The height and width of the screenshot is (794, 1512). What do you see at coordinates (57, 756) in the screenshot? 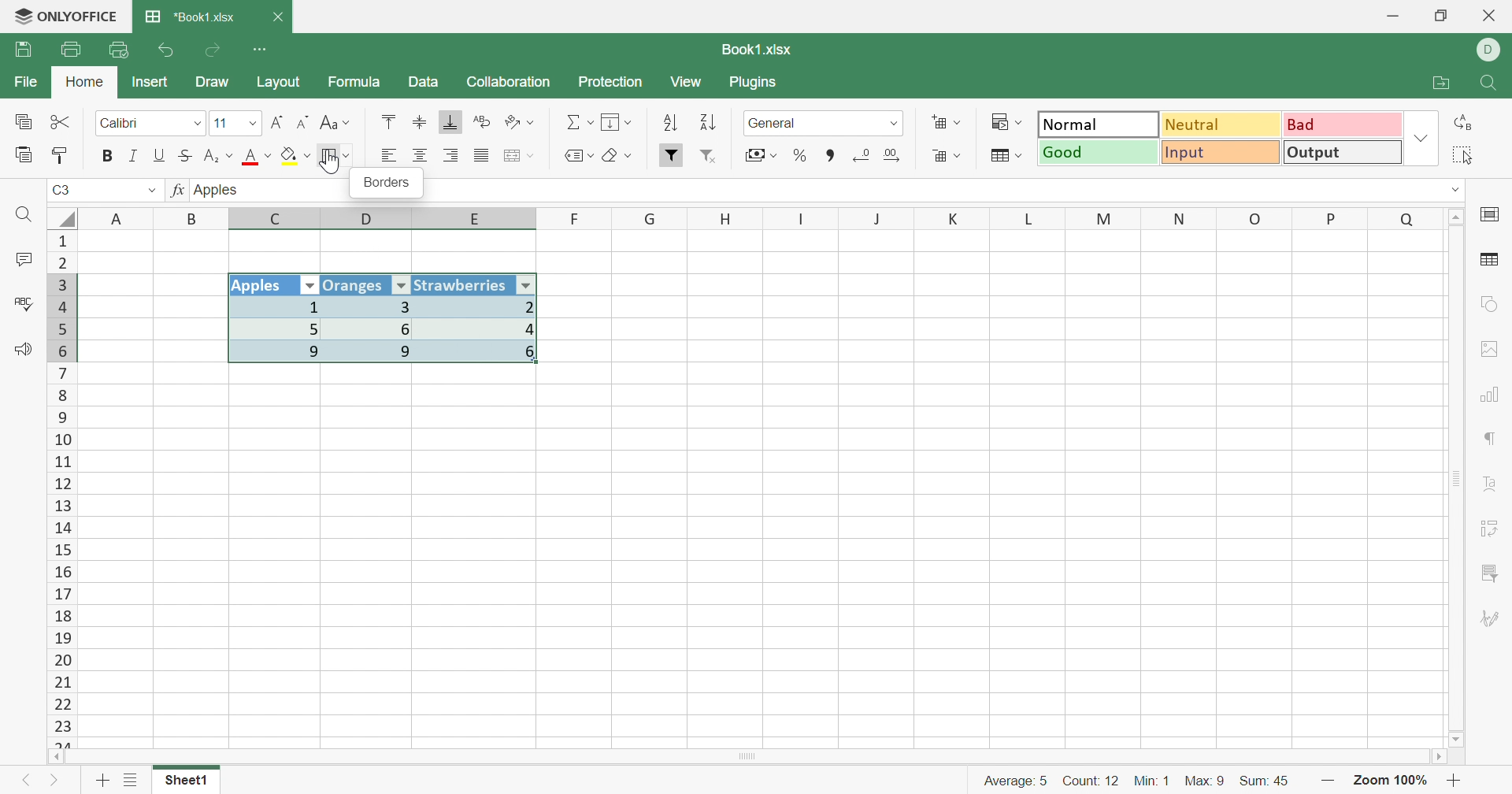
I see `Scroll left` at bounding box center [57, 756].